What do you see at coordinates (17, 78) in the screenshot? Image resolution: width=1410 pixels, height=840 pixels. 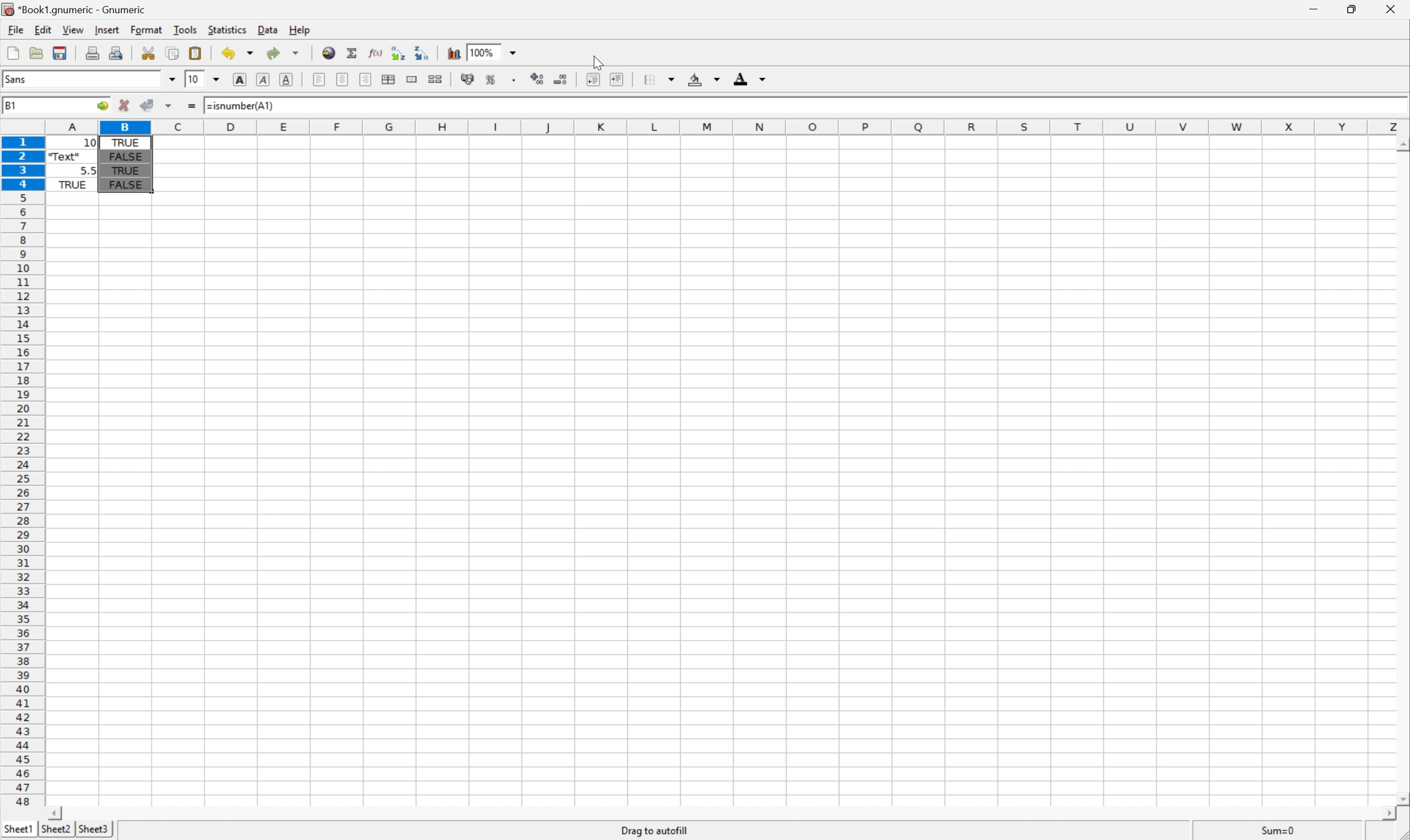 I see `Sans` at bounding box center [17, 78].